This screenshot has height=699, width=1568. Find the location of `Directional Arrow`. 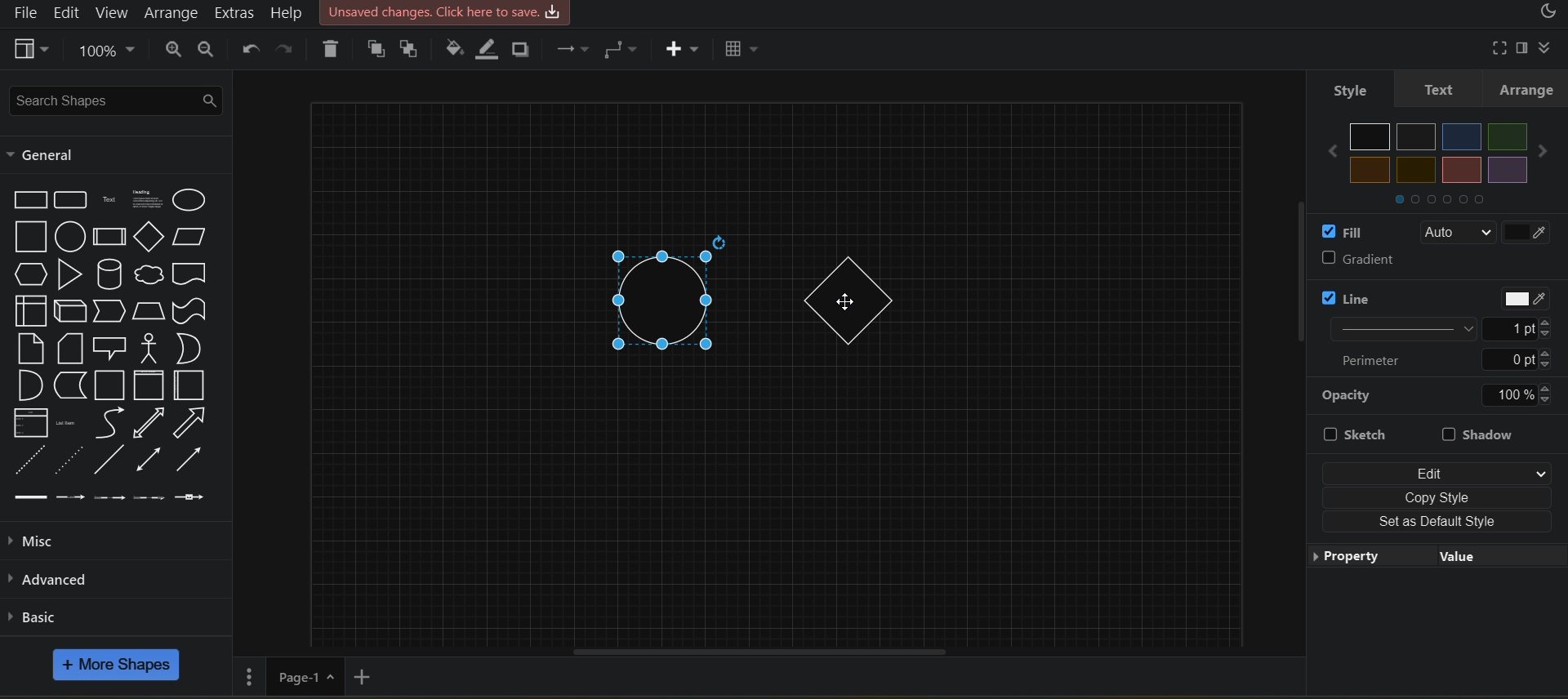

Directional Arrow is located at coordinates (189, 458).